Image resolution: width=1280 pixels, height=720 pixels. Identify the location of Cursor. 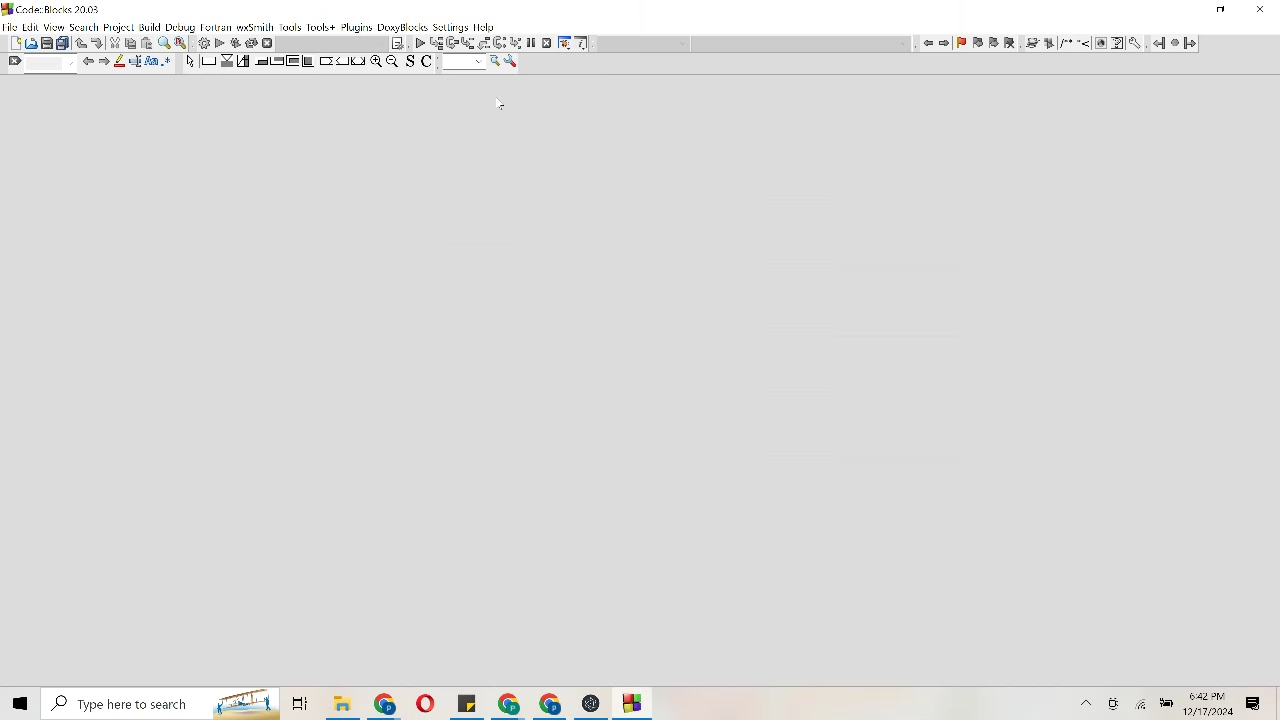
(499, 104).